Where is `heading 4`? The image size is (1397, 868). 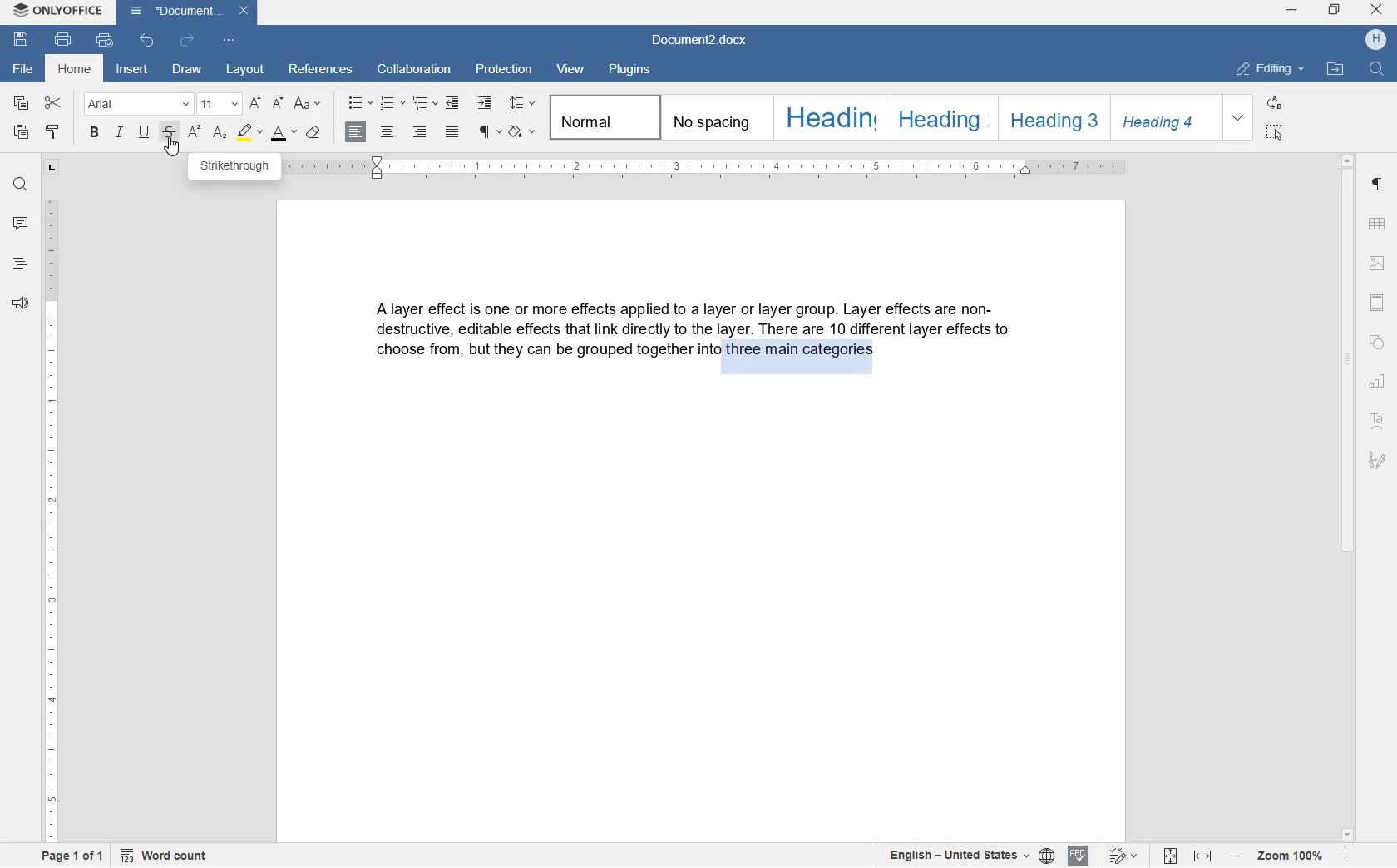
heading 4 is located at coordinates (1164, 116).